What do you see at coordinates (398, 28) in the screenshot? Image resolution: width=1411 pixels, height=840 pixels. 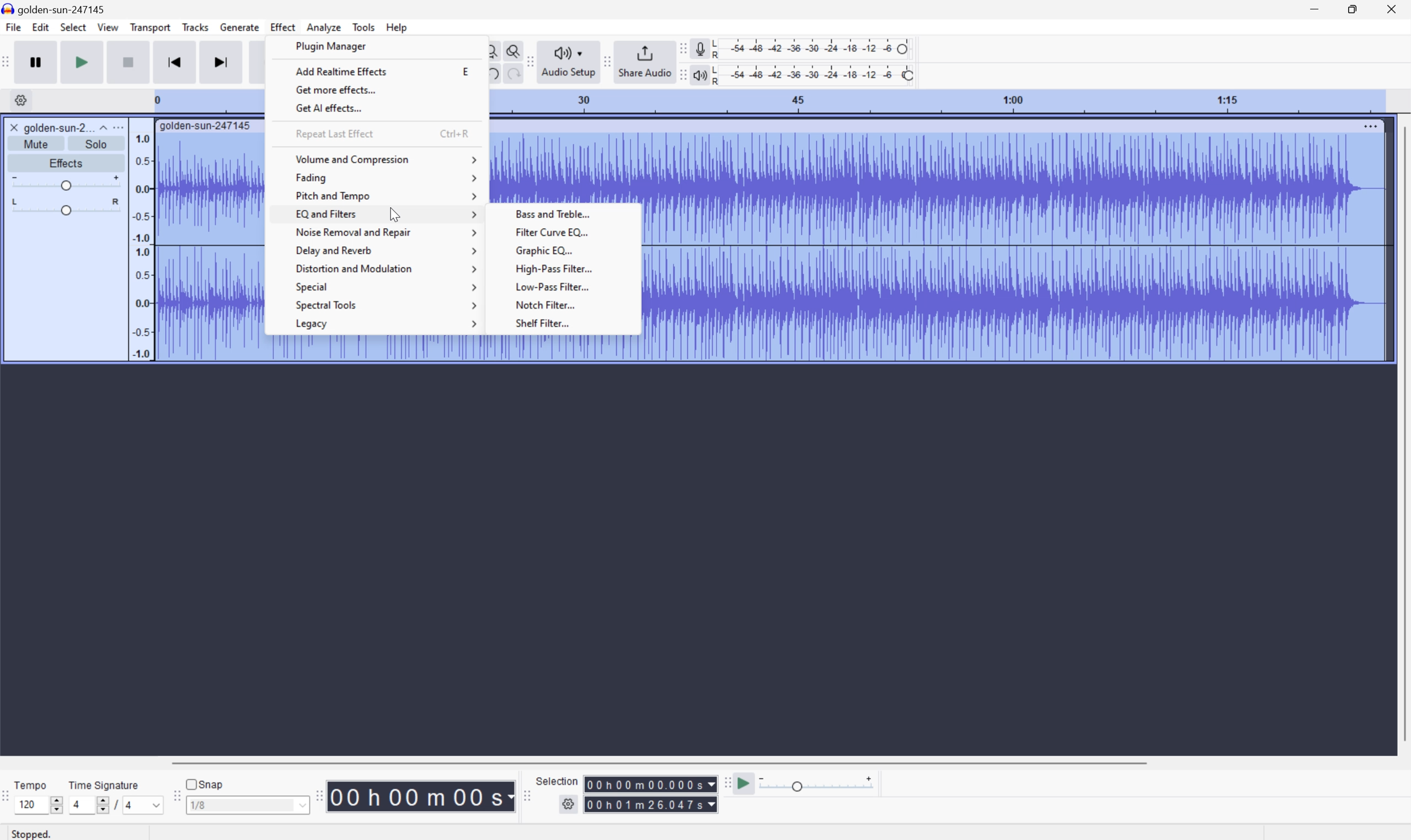 I see `Help` at bounding box center [398, 28].